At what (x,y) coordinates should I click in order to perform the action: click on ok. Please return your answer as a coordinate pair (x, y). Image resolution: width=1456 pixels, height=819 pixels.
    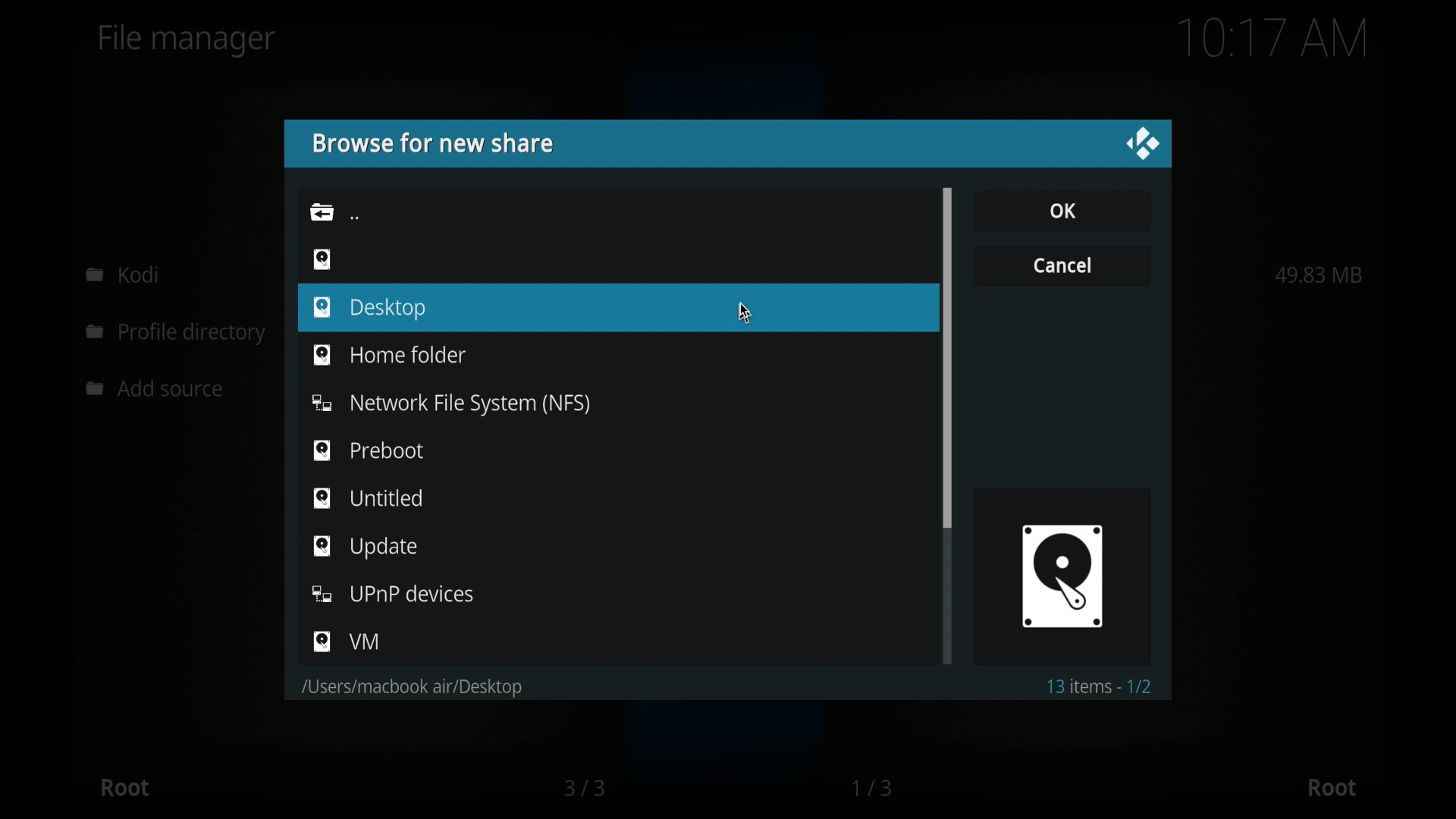
    Looking at the image, I should click on (1062, 210).